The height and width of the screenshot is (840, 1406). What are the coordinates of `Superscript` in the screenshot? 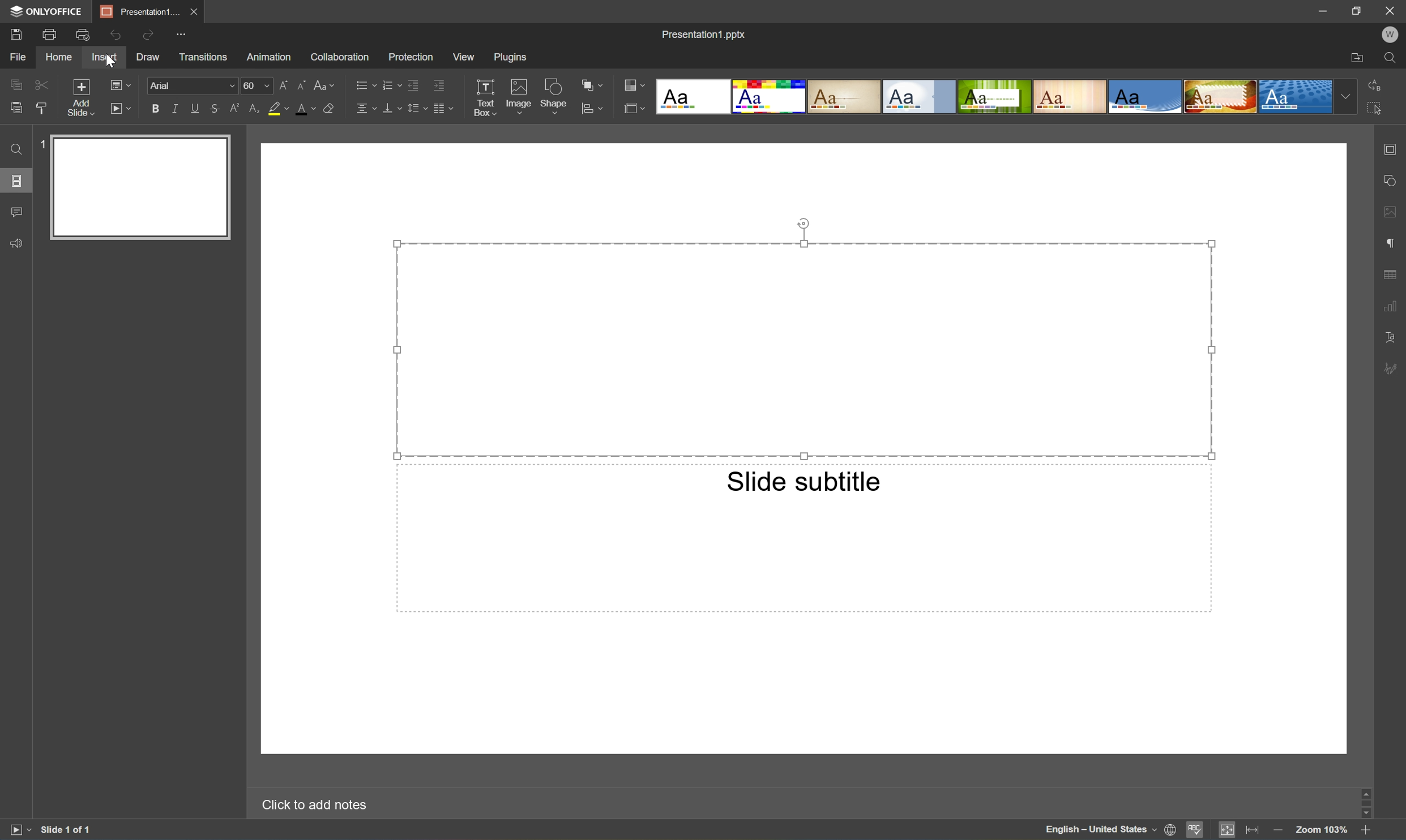 It's located at (237, 108).